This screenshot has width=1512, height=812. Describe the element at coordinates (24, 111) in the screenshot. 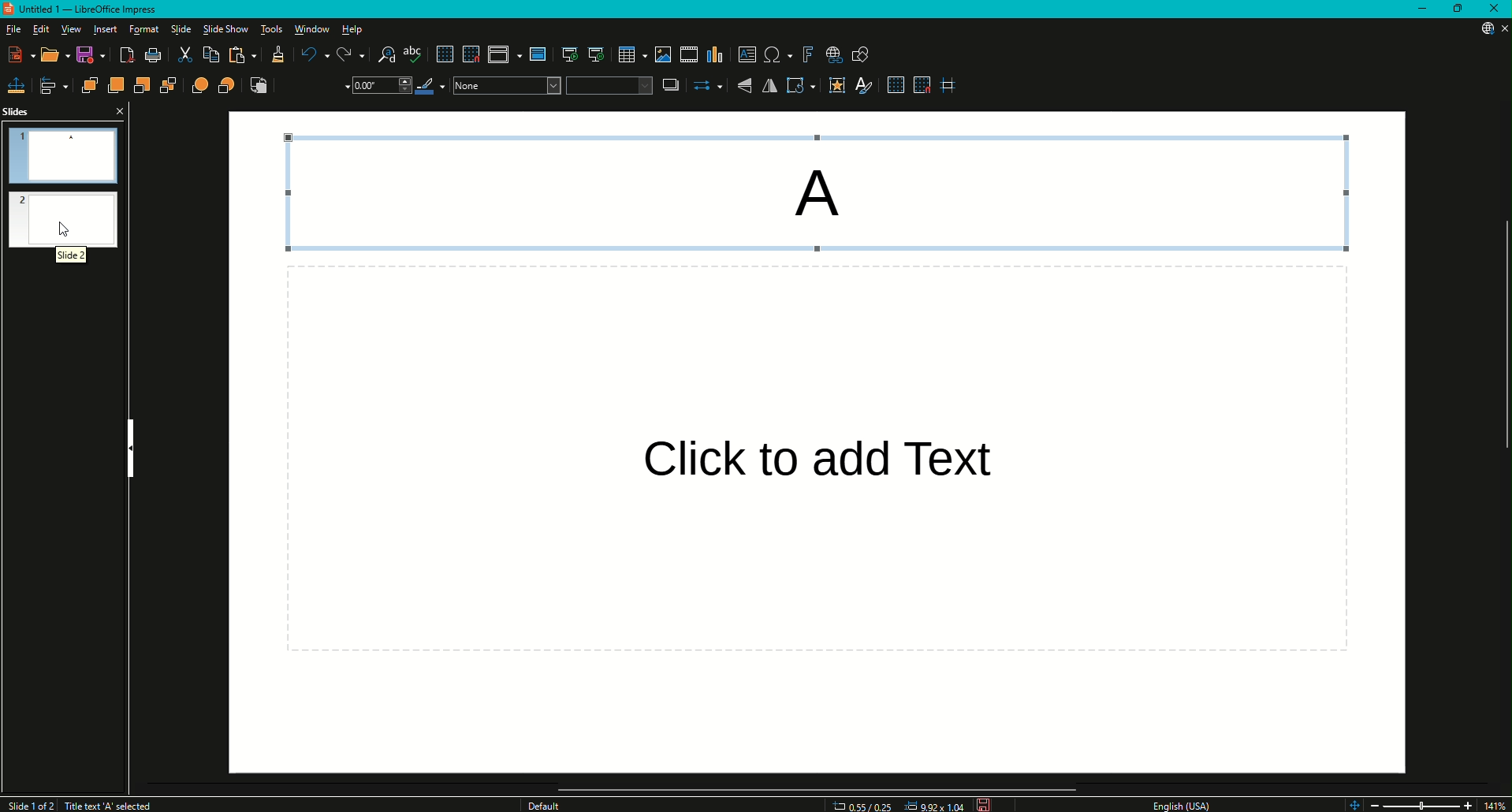

I see `Slides` at that location.